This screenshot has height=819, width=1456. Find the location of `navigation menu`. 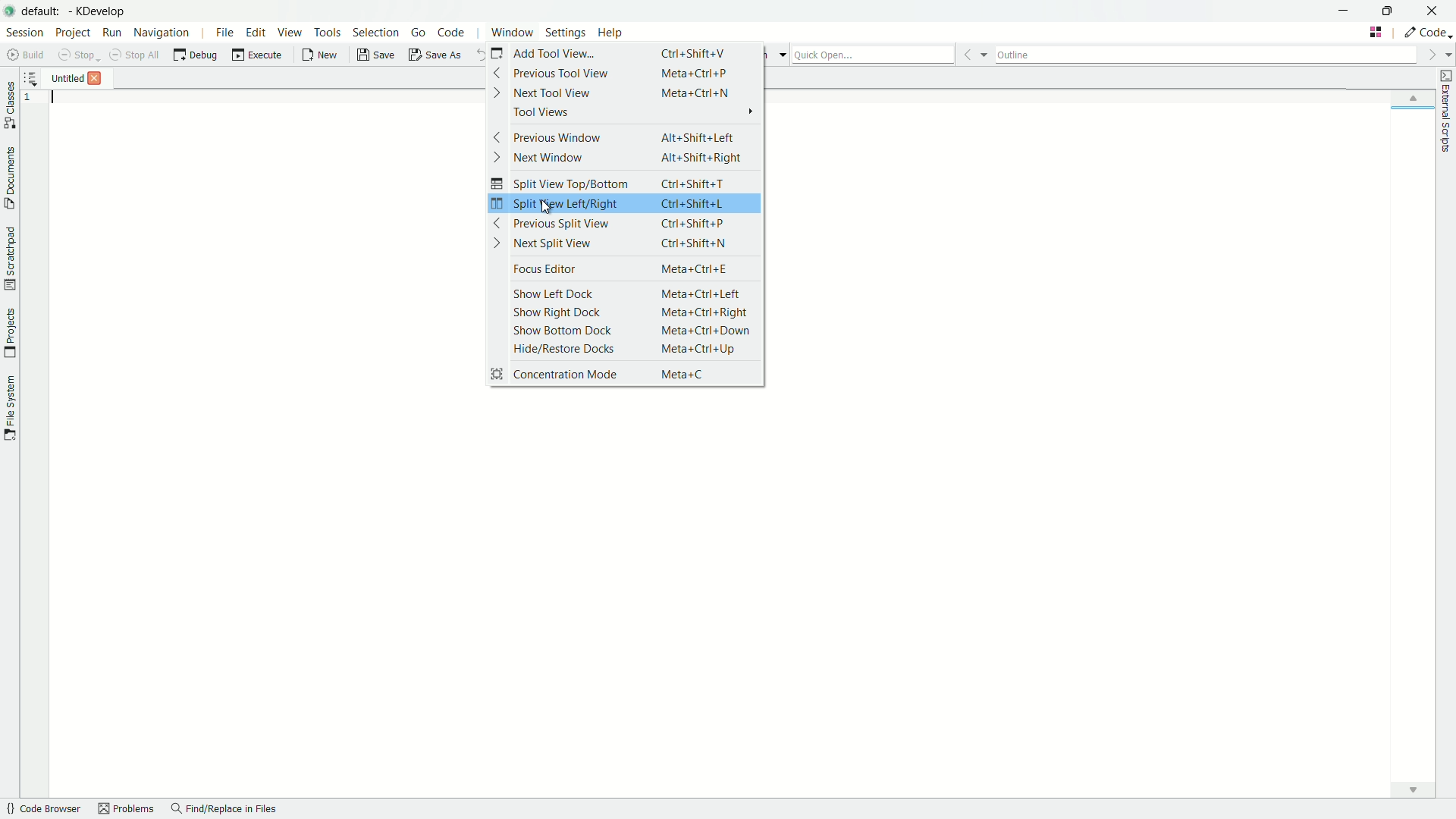

navigation menu is located at coordinates (162, 33).